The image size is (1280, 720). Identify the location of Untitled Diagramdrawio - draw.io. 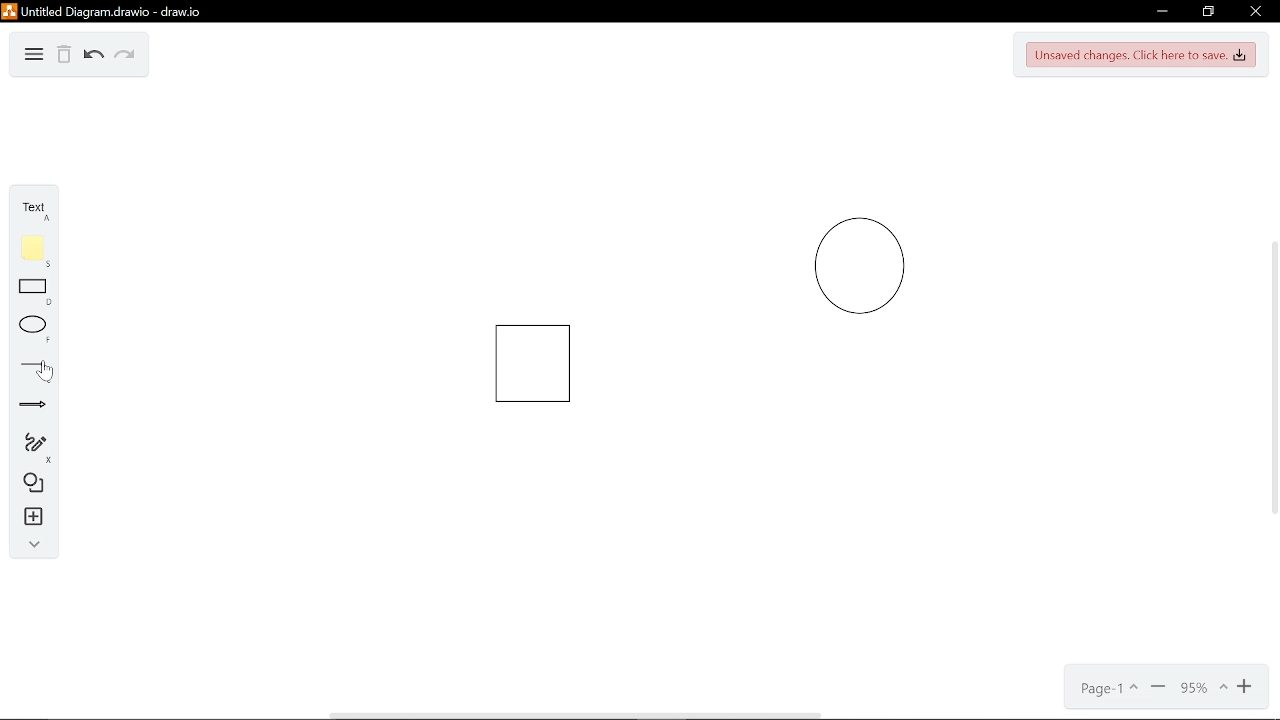
(104, 11).